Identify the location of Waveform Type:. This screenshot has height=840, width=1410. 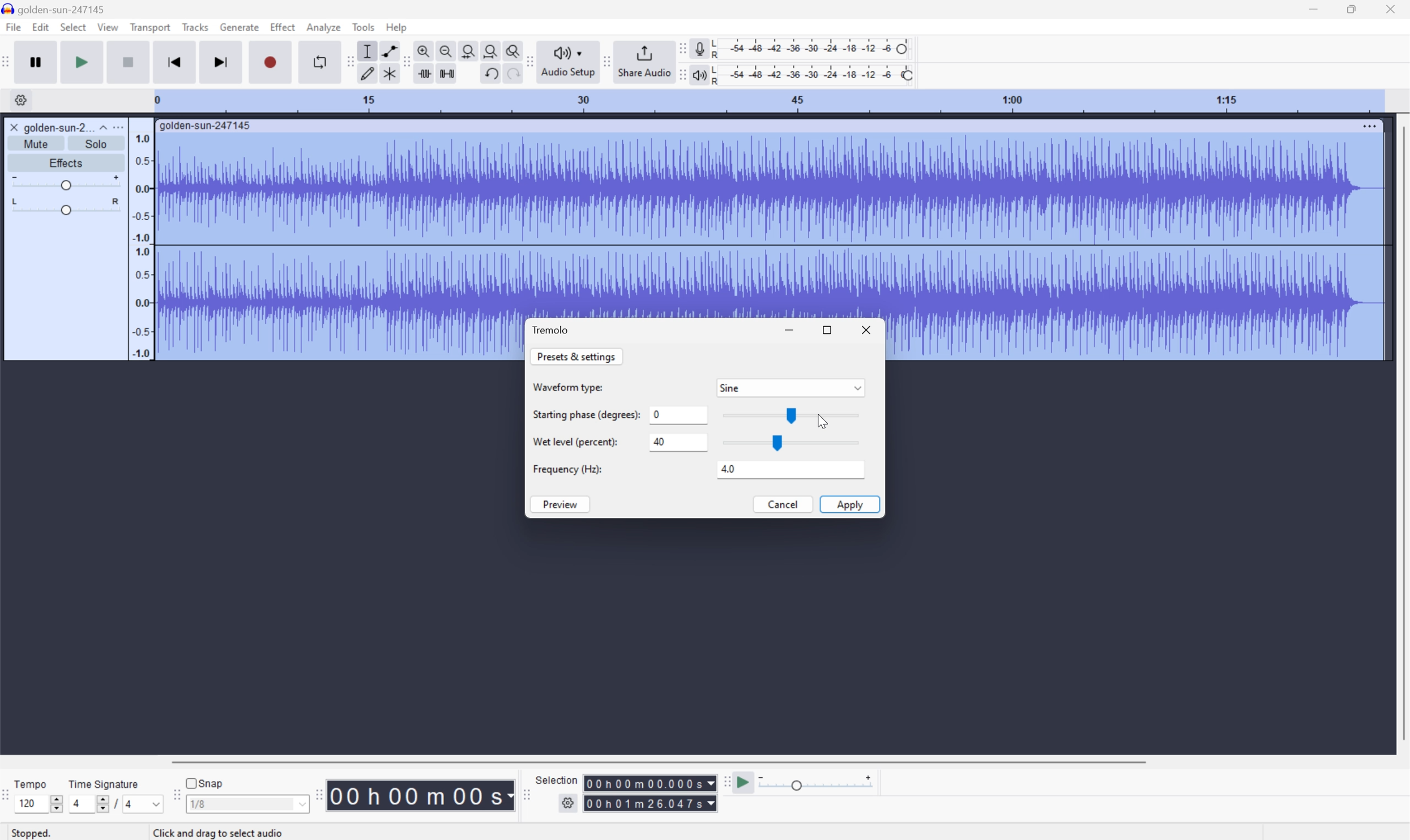
(571, 387).